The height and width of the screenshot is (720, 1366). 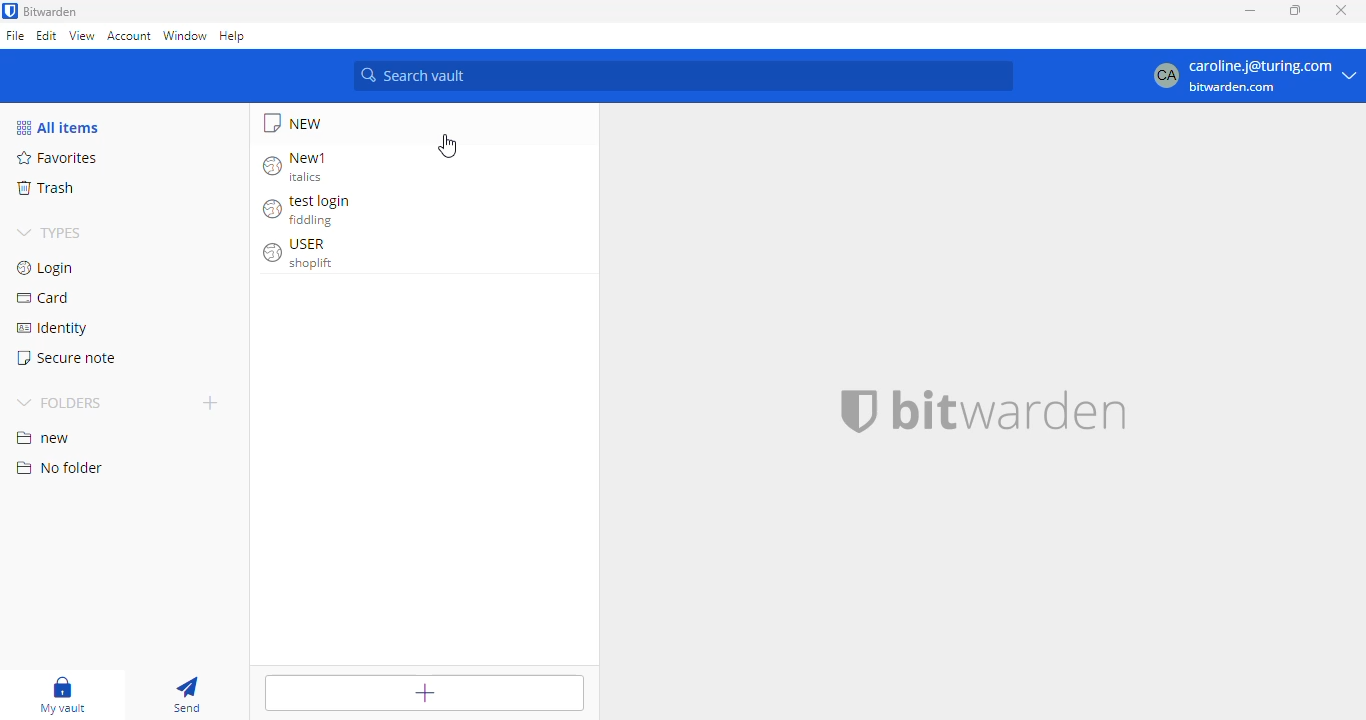 What do you see at coordinates (1010, 411) in the screenshot?
I see `bitwarden` at bounding box center [1010, 411].